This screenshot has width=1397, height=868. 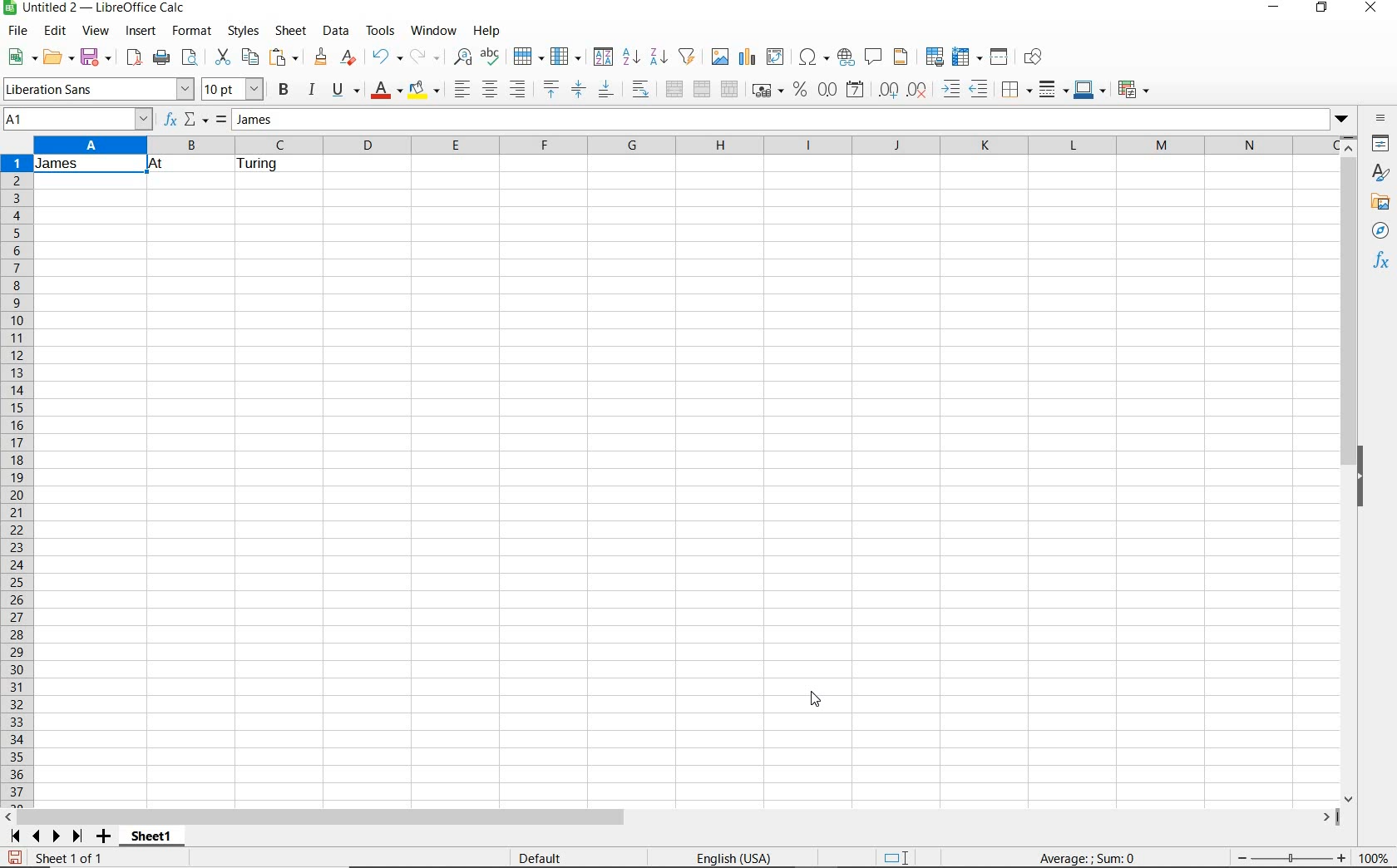 I want to click on formula, so click(x=220, y=121).